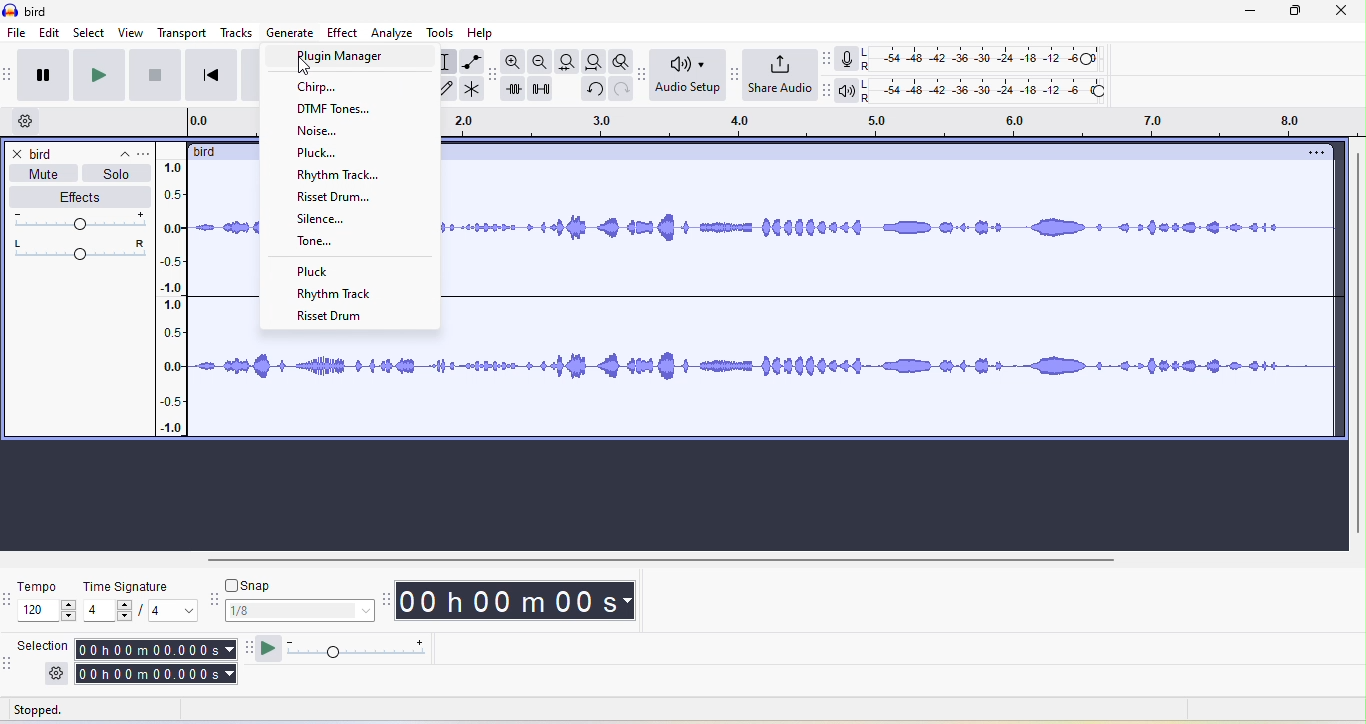 This screenshot has width=1366, height=724. Describe the element at coordinates (18, 153) in the screenshot. I see `close` at that location.